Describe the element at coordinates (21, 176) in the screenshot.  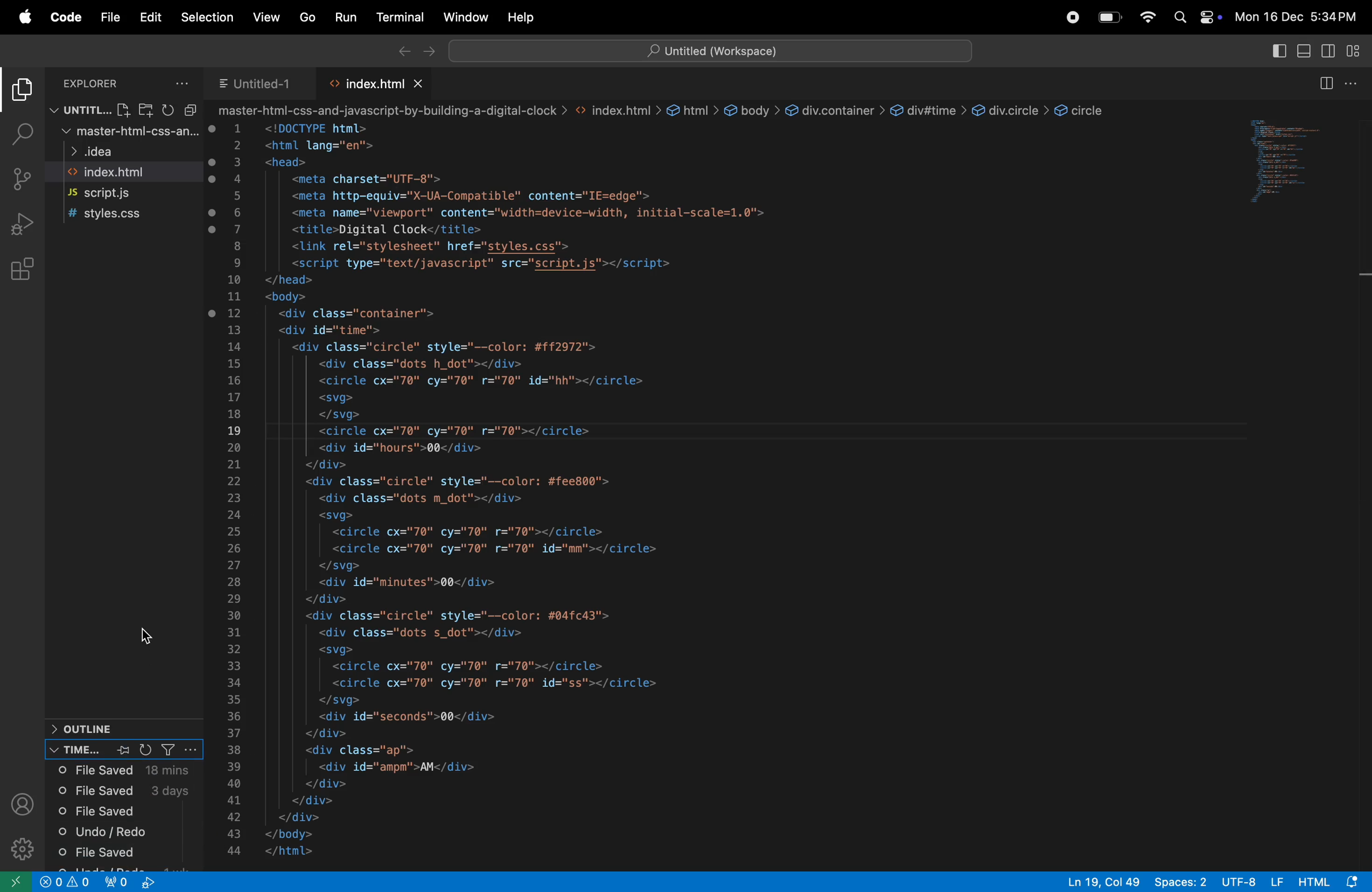
I see `source control` at that location.